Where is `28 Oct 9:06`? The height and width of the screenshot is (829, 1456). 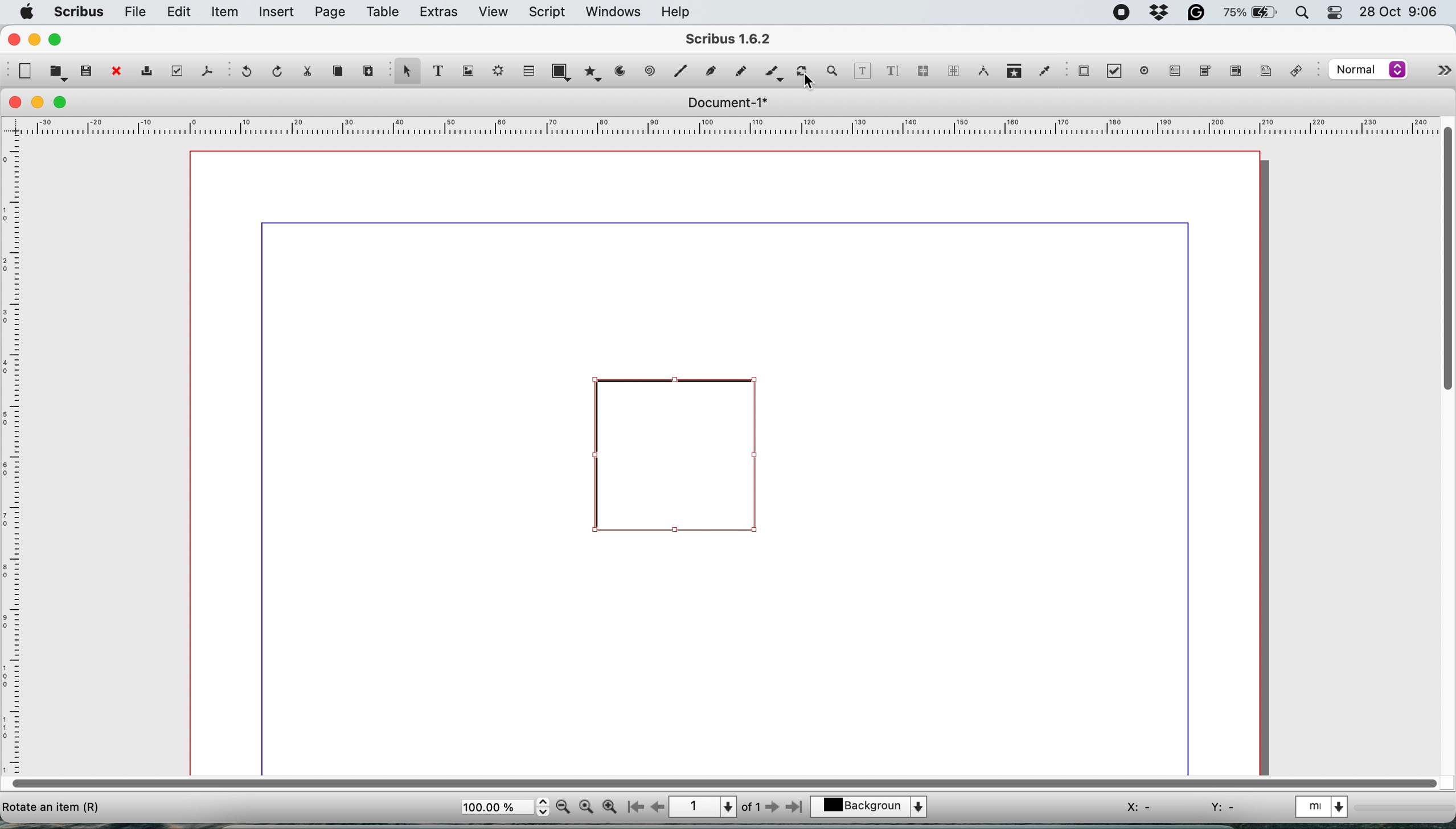 28 Oct 9:06 is located at coordinates (1396, 11).